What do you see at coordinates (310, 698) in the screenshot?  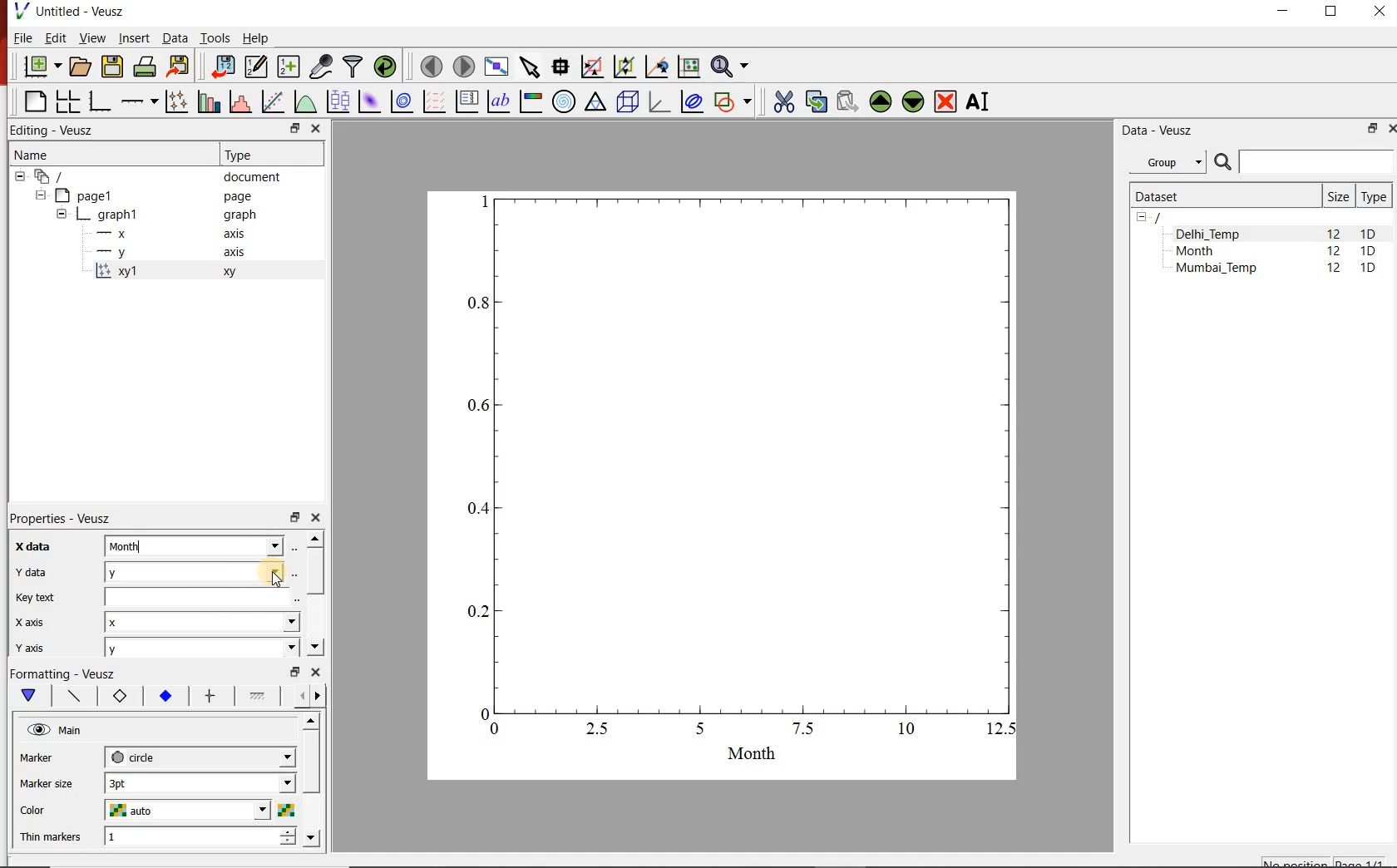 I see `Grid lines` at bounding box center [310, 698].